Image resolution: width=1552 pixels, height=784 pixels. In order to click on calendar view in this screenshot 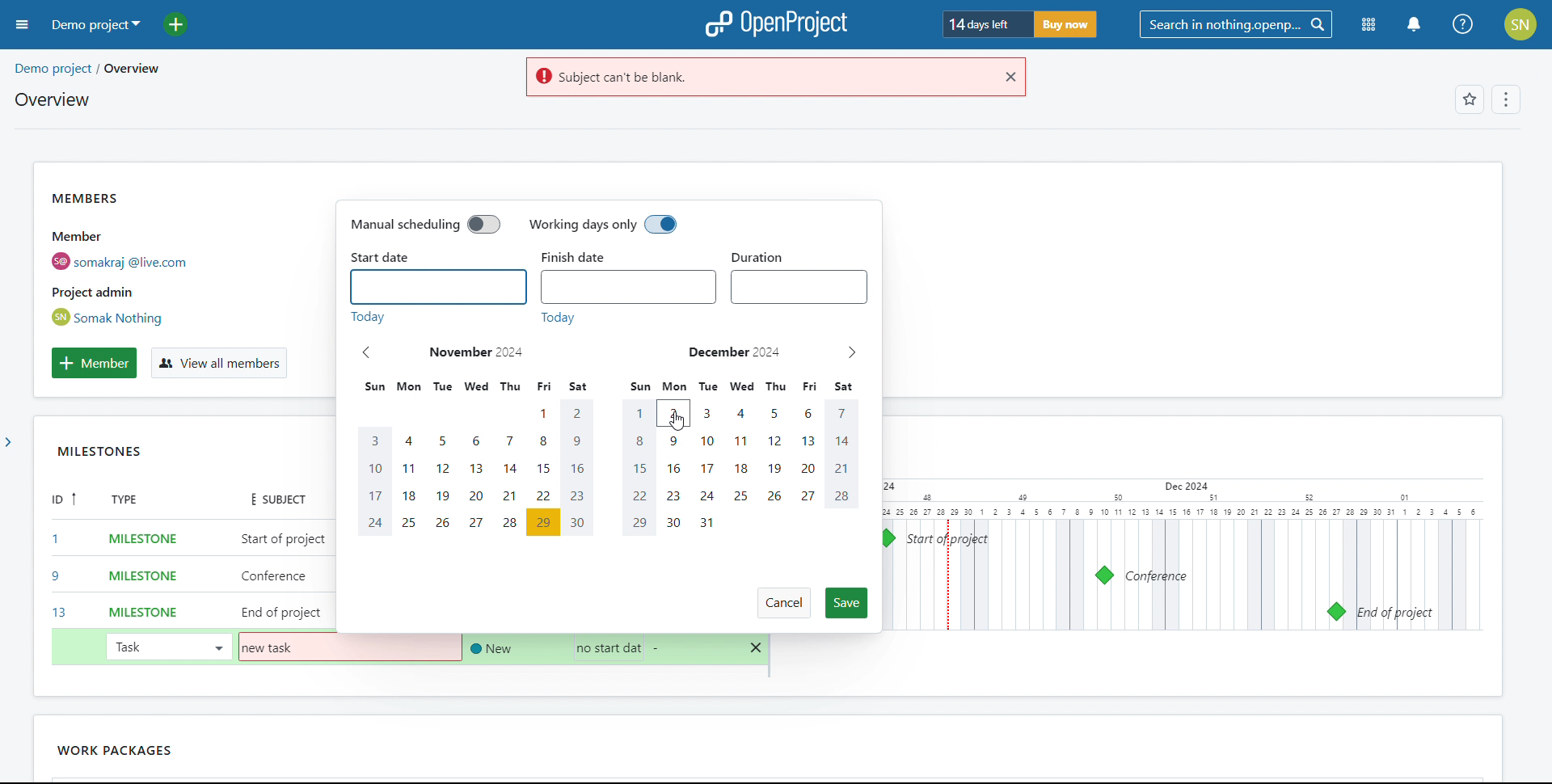, I will do `click(1179, 555)`.